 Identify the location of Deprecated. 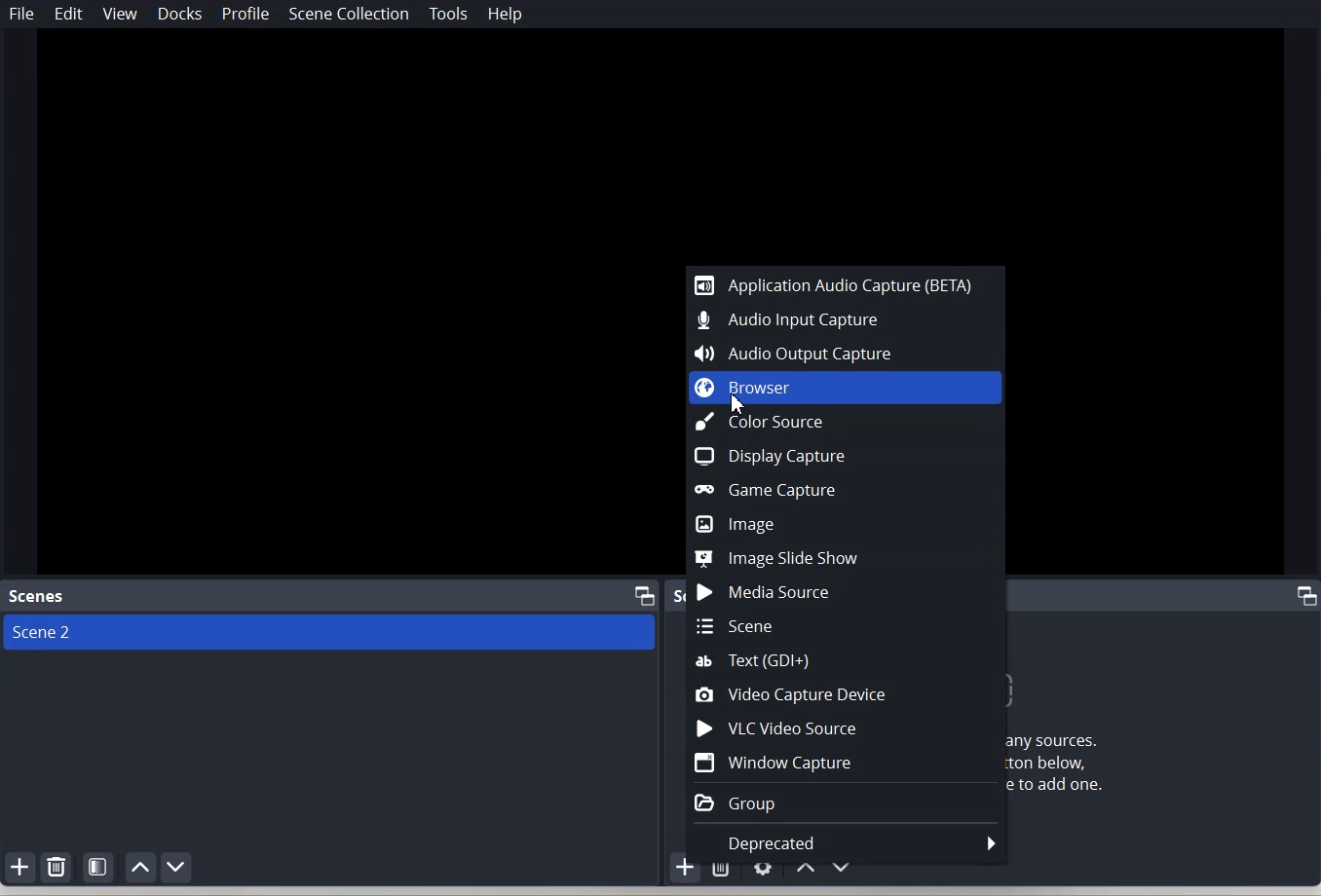
(848, 842).